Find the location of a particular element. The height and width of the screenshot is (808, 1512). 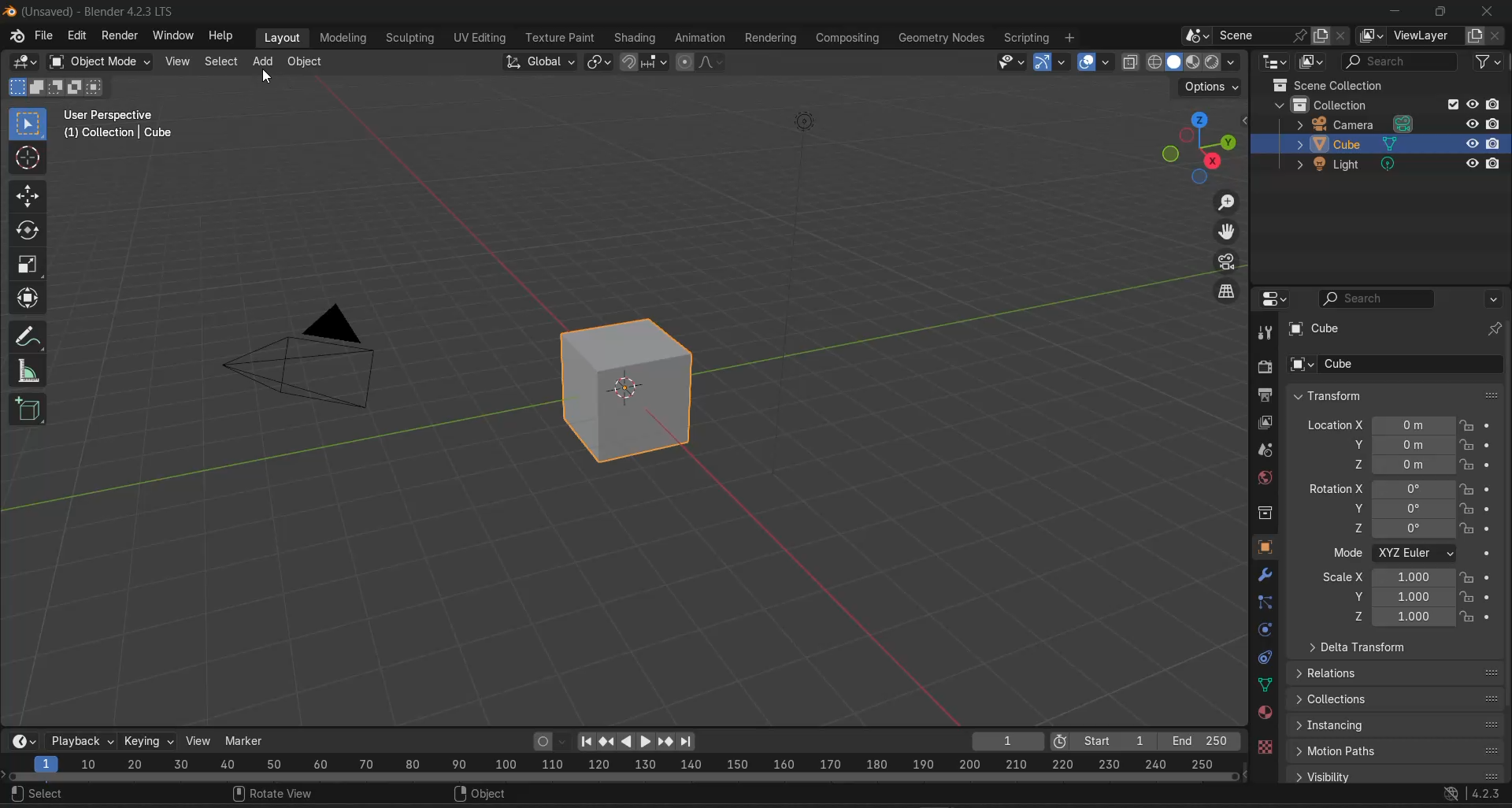

network preference is located at coordinates (1452, 794).